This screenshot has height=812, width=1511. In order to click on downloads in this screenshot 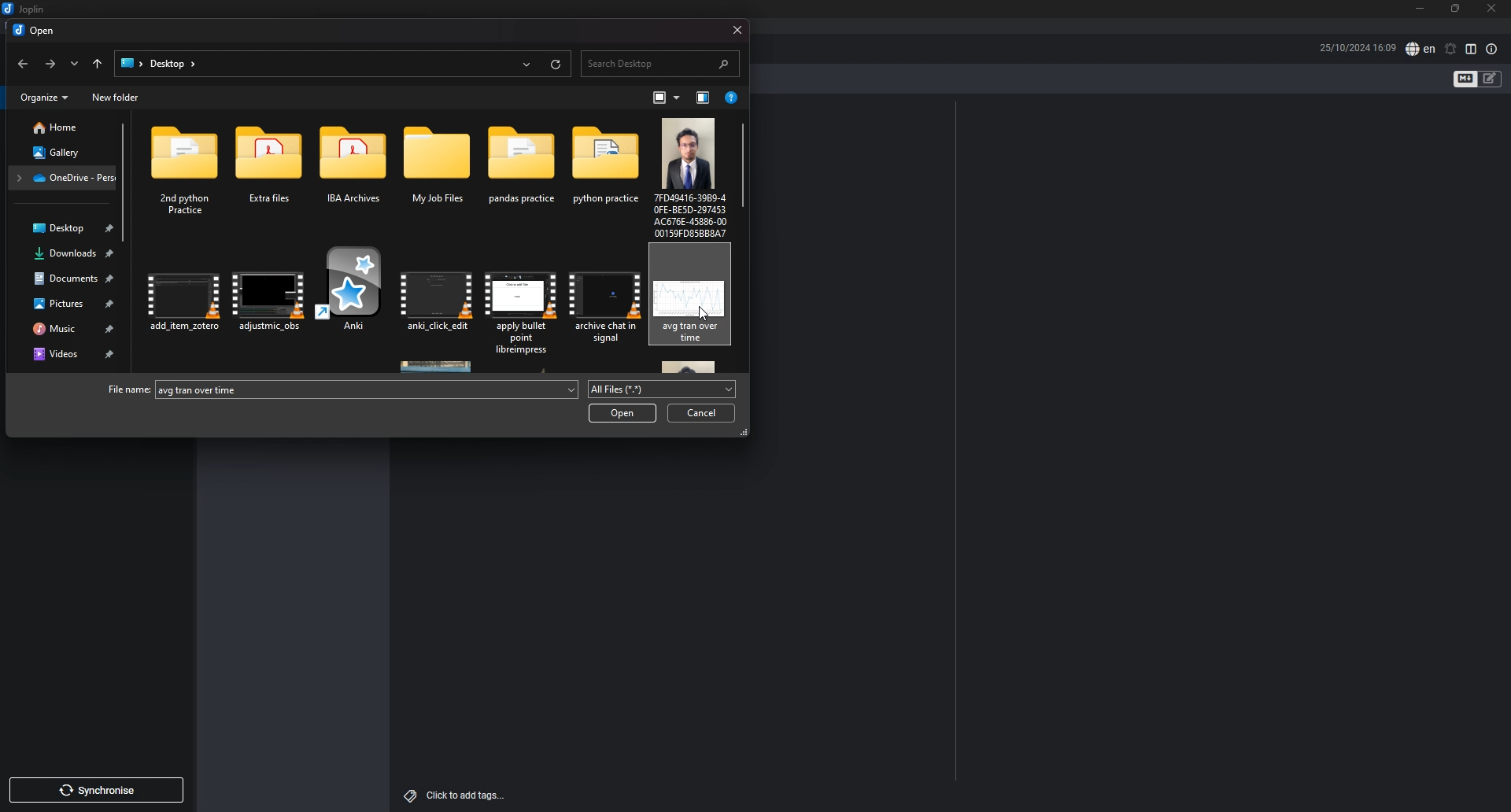, I will do `click(65, 255)`.